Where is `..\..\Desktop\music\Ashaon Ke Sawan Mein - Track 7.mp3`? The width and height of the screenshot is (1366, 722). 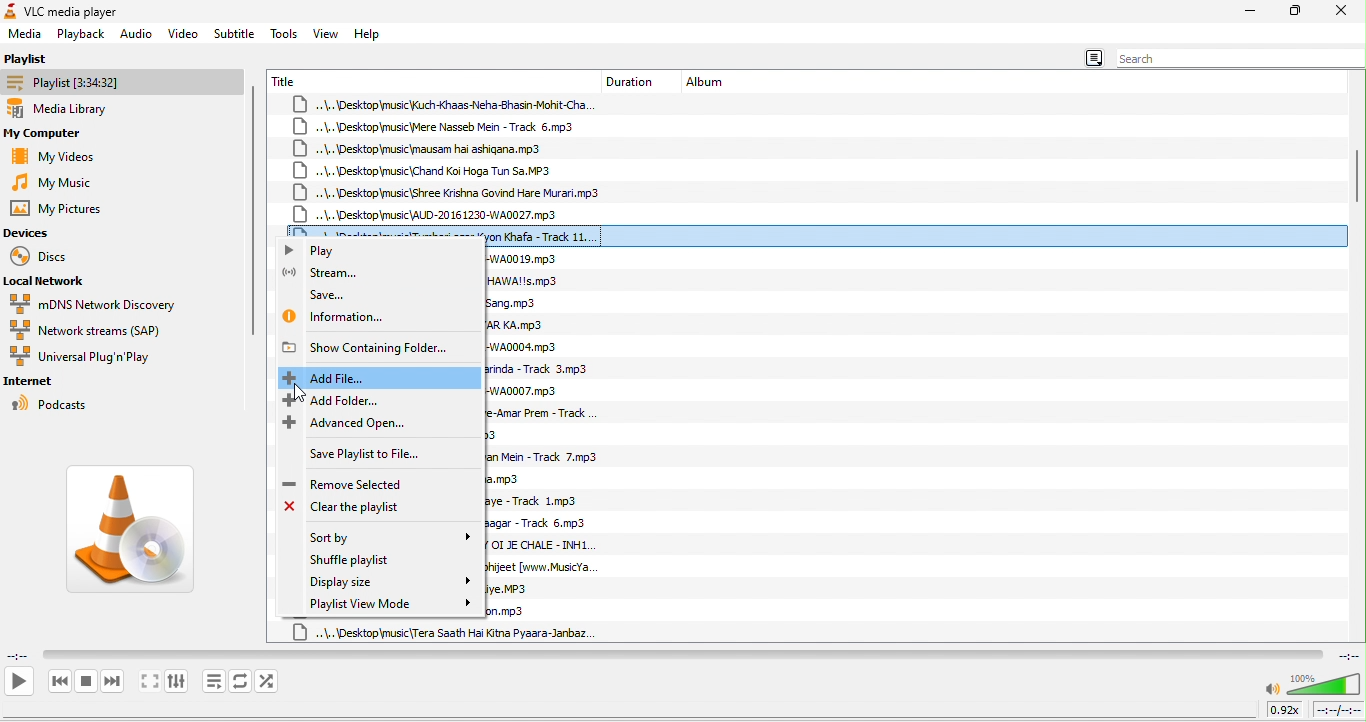
..\..\Desktop\music\Ashaon Ke Sawan Mein - Track 7.mp3 is located at coordinates (551, 457).